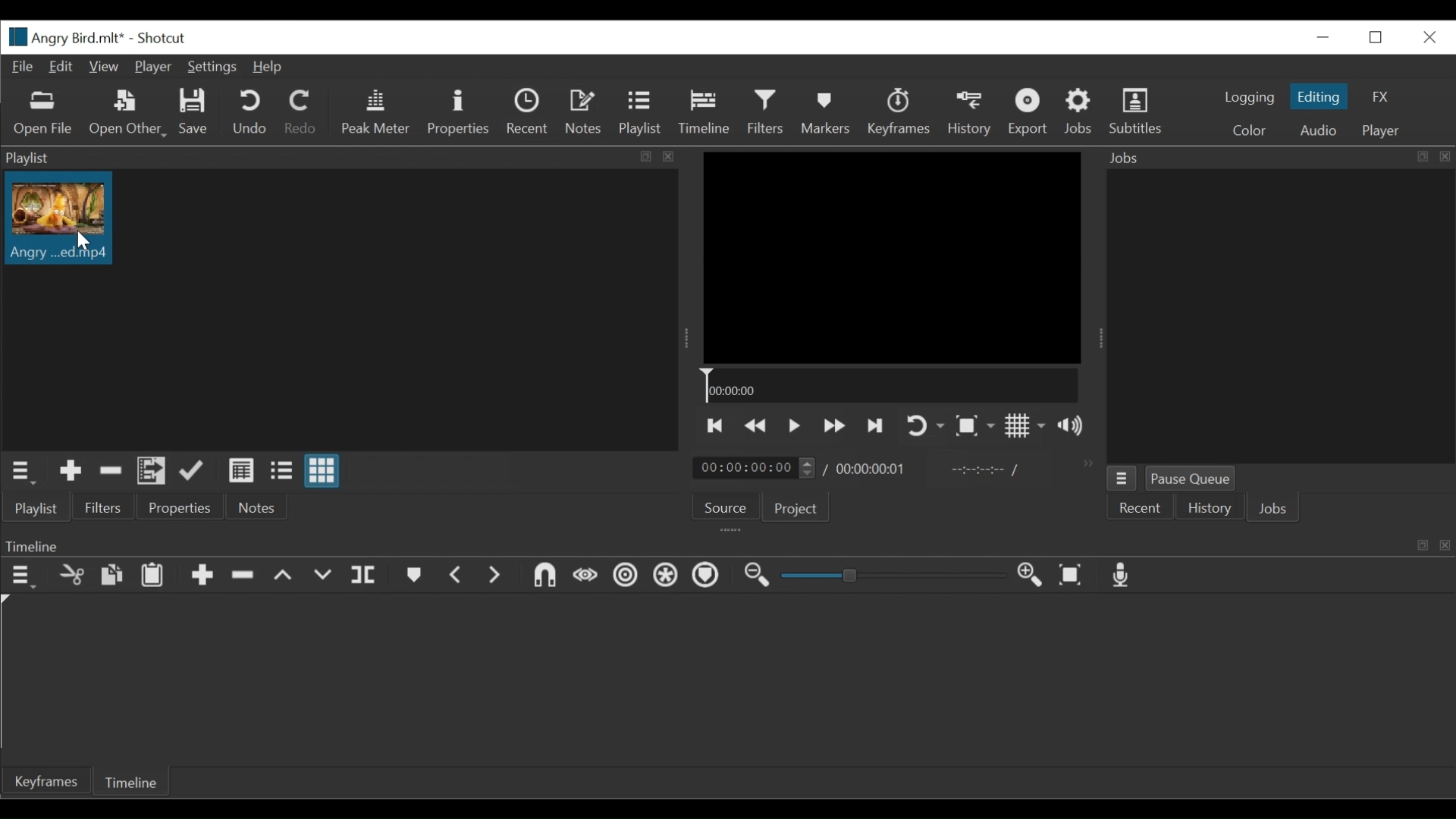 This screenshot has width=1456, height=819. Describe the element at coordinates (1248, 132) in the screenshot. I see `Color` at that location.